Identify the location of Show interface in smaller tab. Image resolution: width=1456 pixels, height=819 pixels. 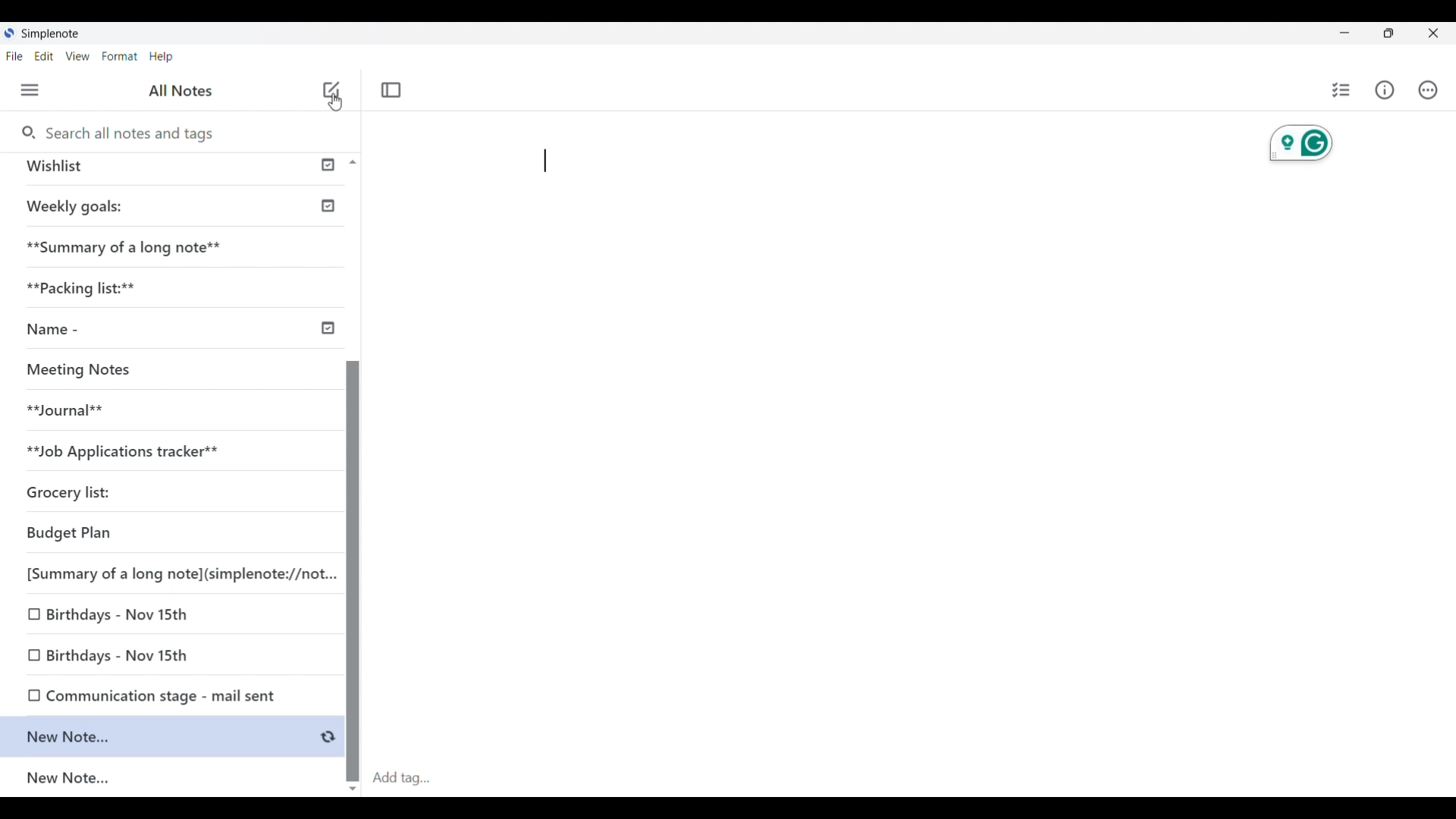
(1389, 33).